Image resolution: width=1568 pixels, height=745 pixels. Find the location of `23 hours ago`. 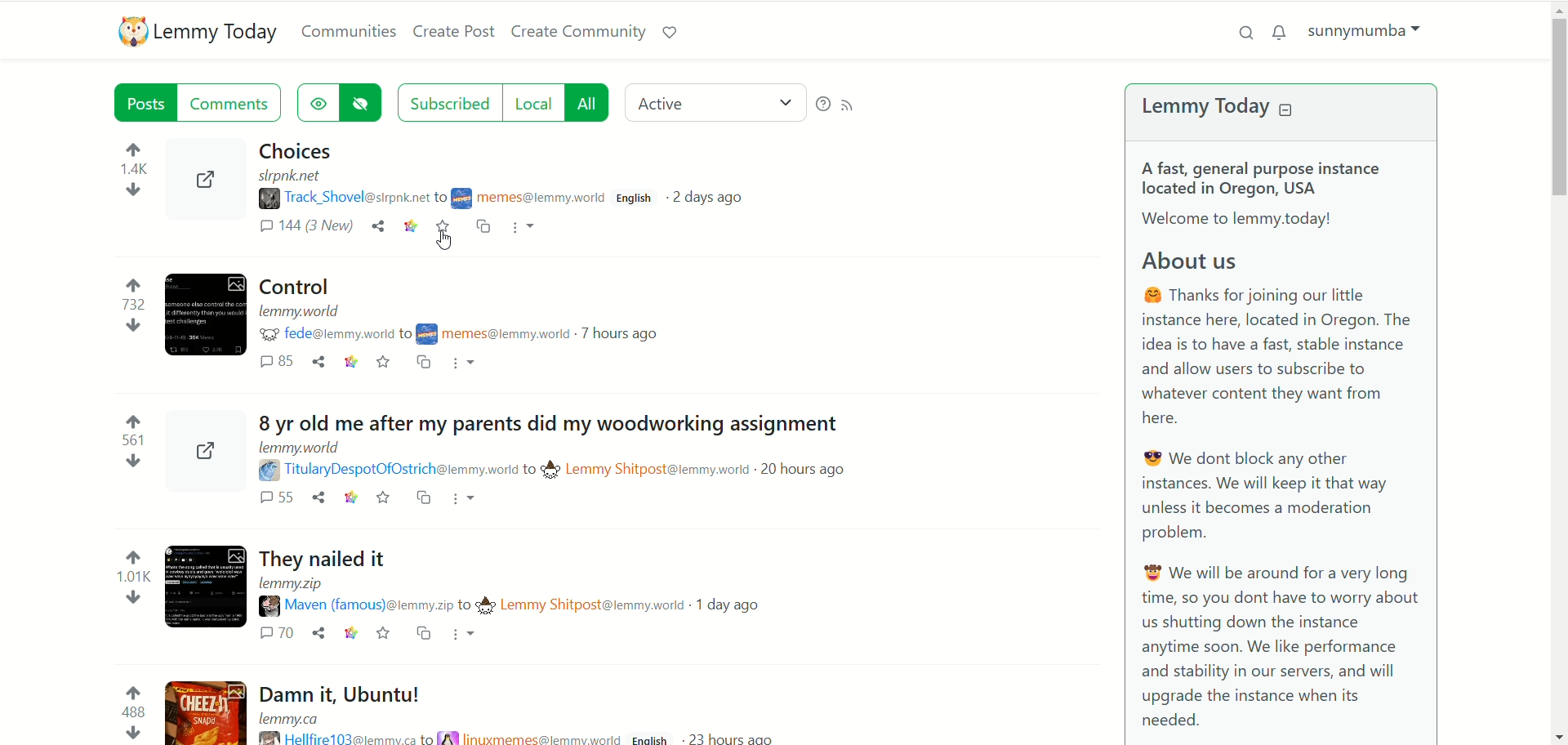

23 hours ago is located at coordinates (730, 735).